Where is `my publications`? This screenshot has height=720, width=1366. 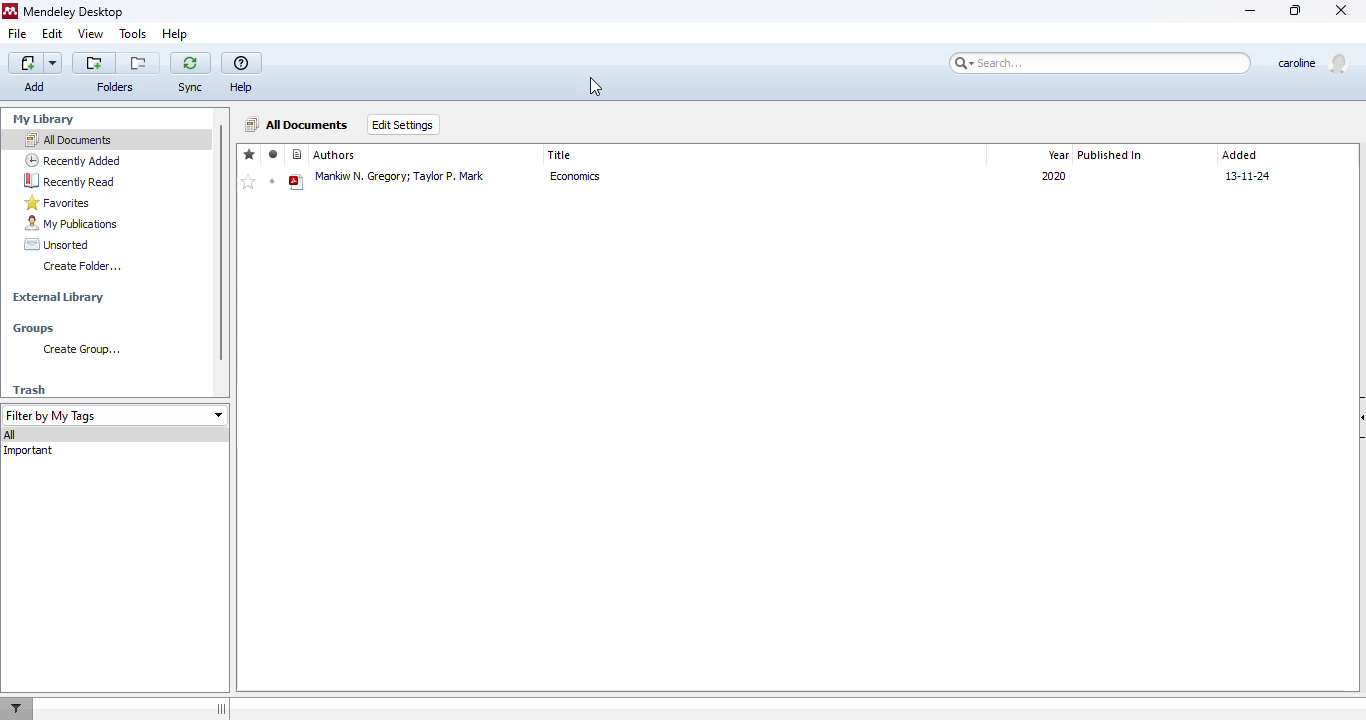 my publications is located at coordinates (70, 223).